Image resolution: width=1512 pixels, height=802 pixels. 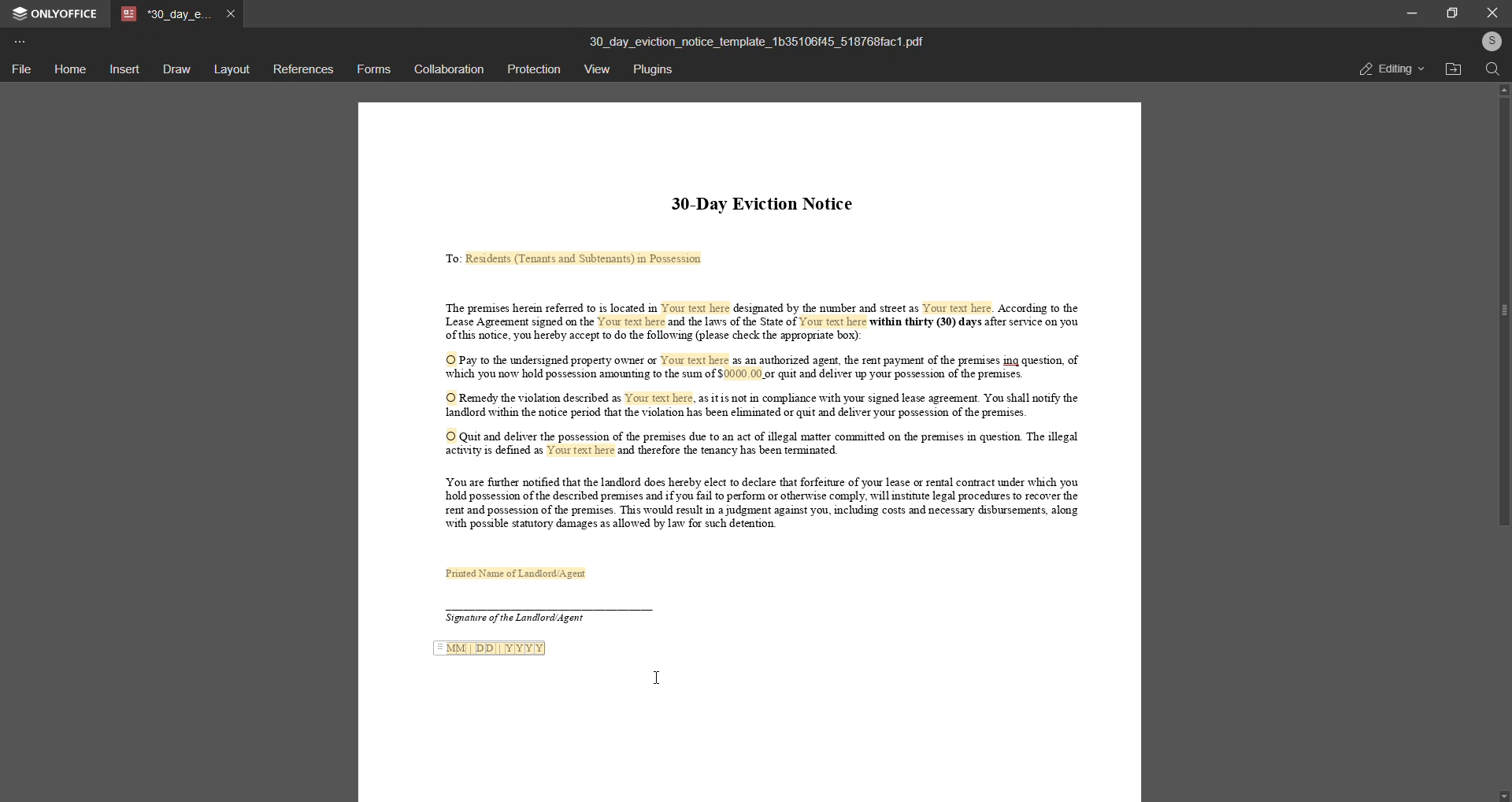 What do you see at coordinates (533, 68) in the screenshot?
I see `protection` at bounding box center [533, 68].